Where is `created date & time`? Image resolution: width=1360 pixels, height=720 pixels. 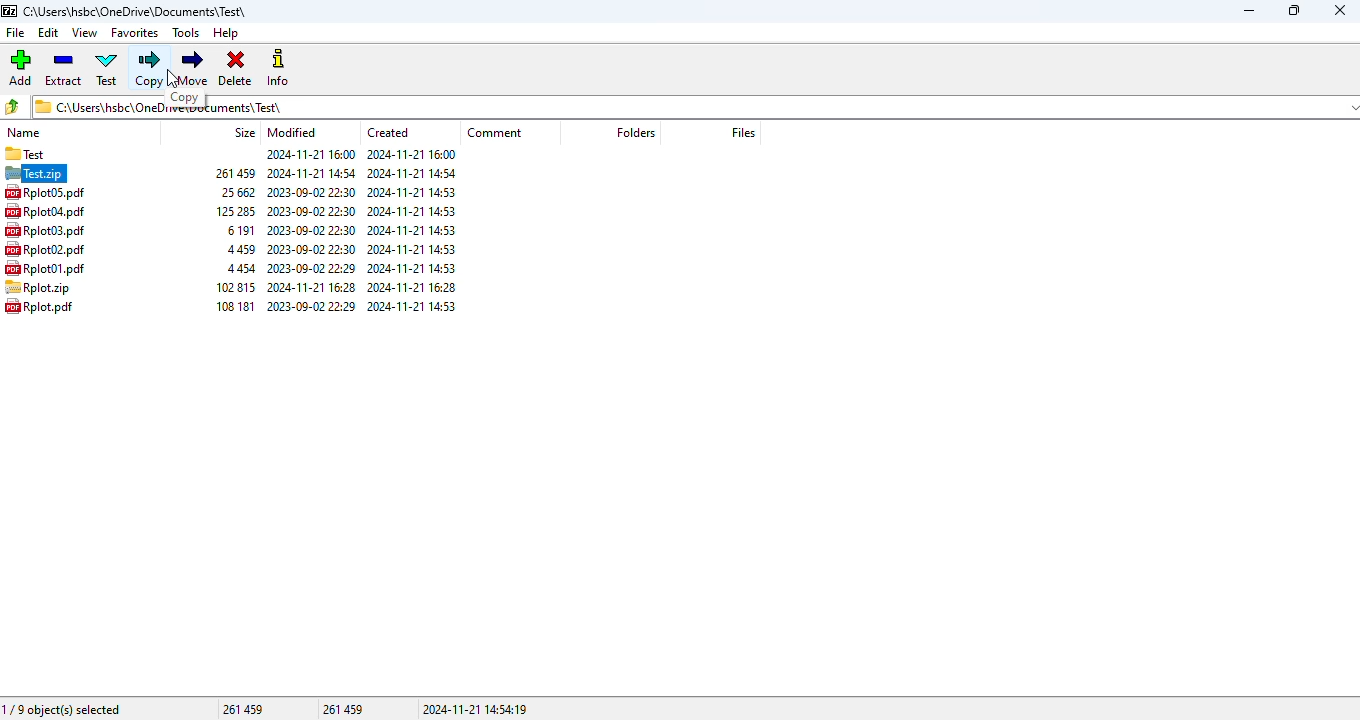
created date & time is located at coordinates (412, 250).